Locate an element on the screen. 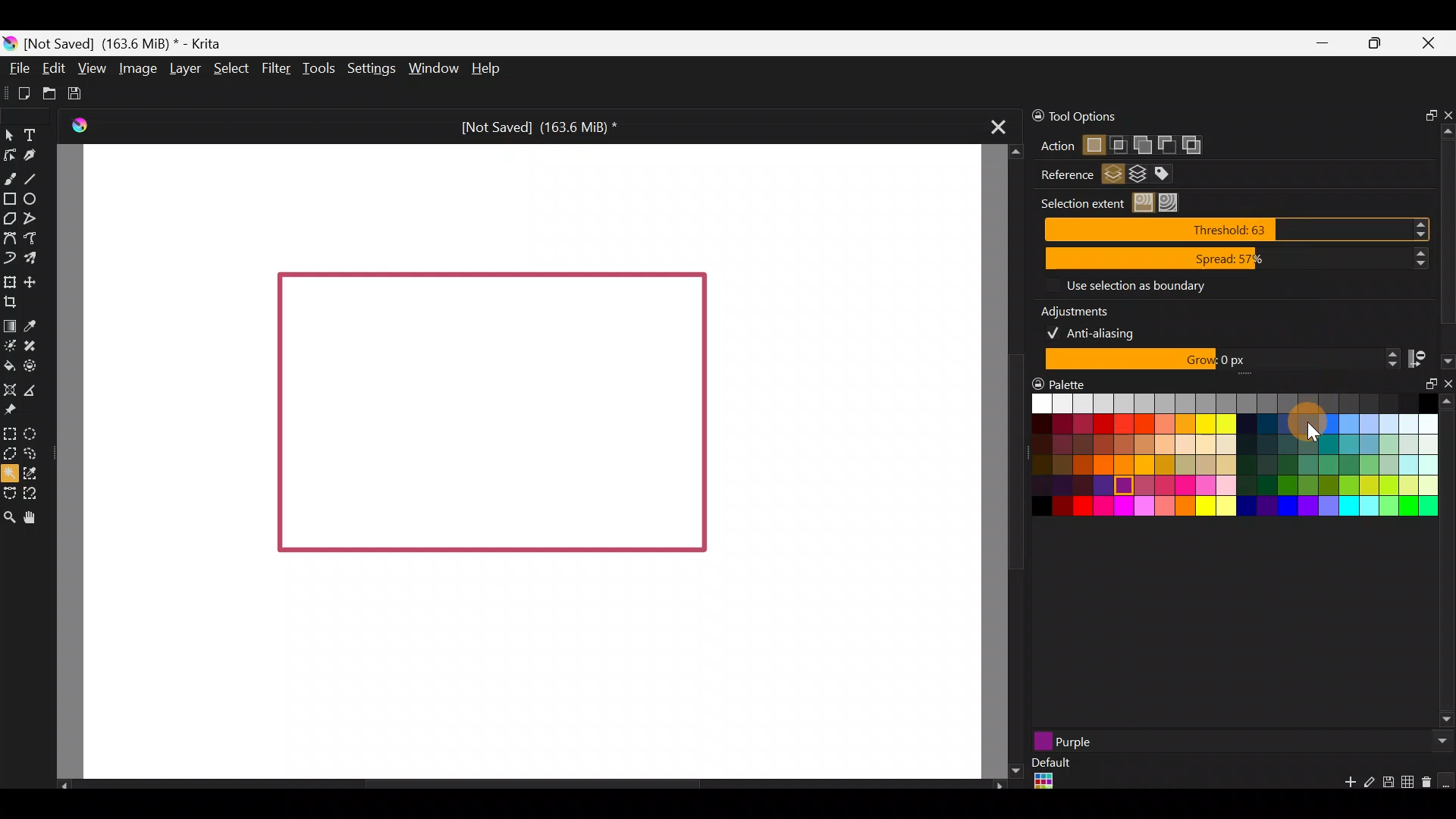 The width and height of the screenshot is (1456, 819). Maximize is located at coordinates (1379, 47).